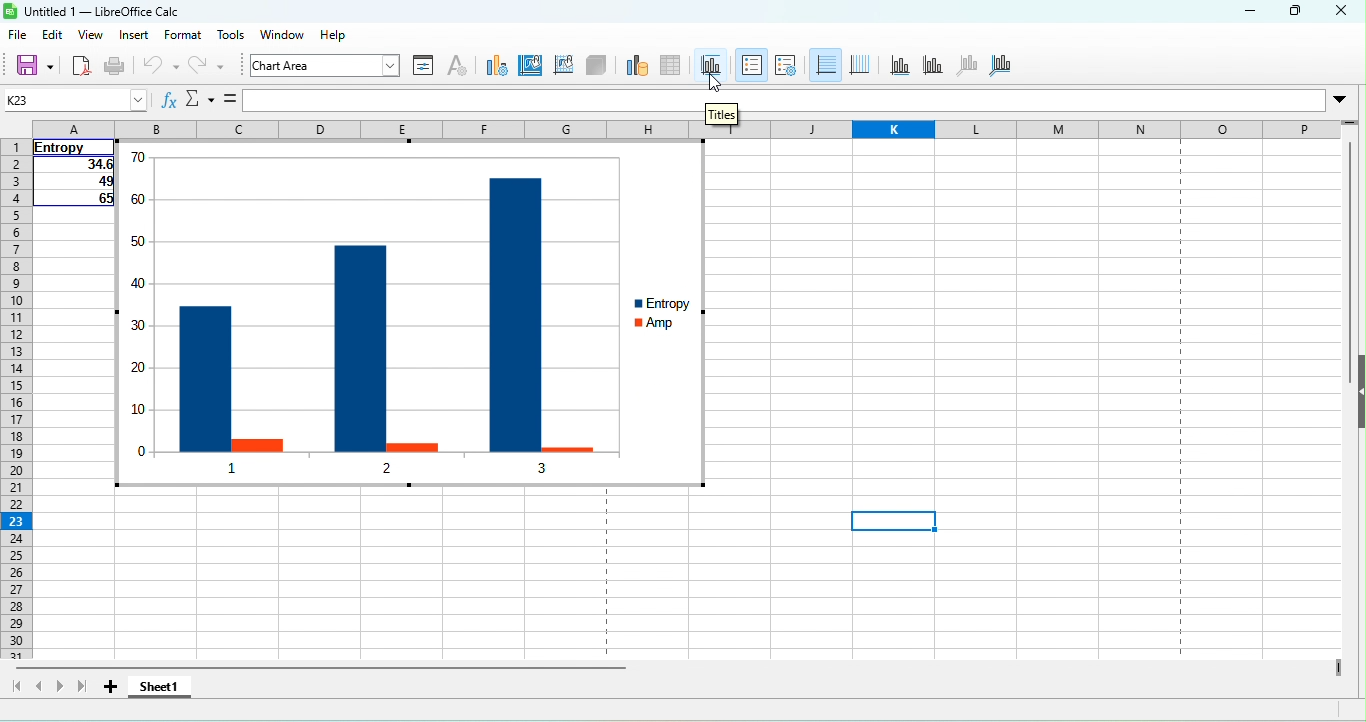 This screenshot has height=722, width=1366. What do you see at coordinates (496, 69) in the screenshot?
I see `chart type` at bounding box center [496, 69].